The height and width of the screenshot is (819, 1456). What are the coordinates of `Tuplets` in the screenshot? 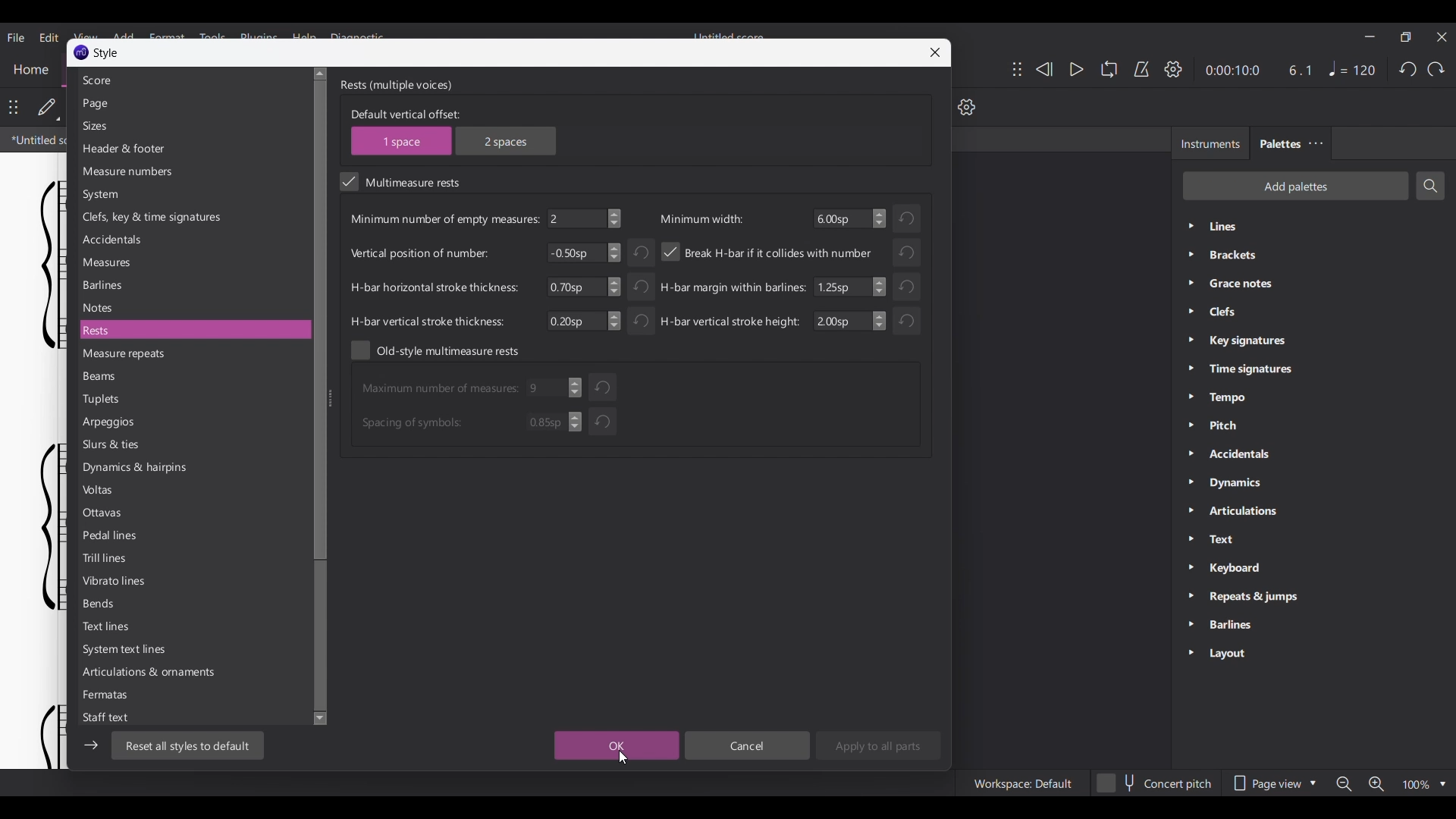 It's located at (193, 399).